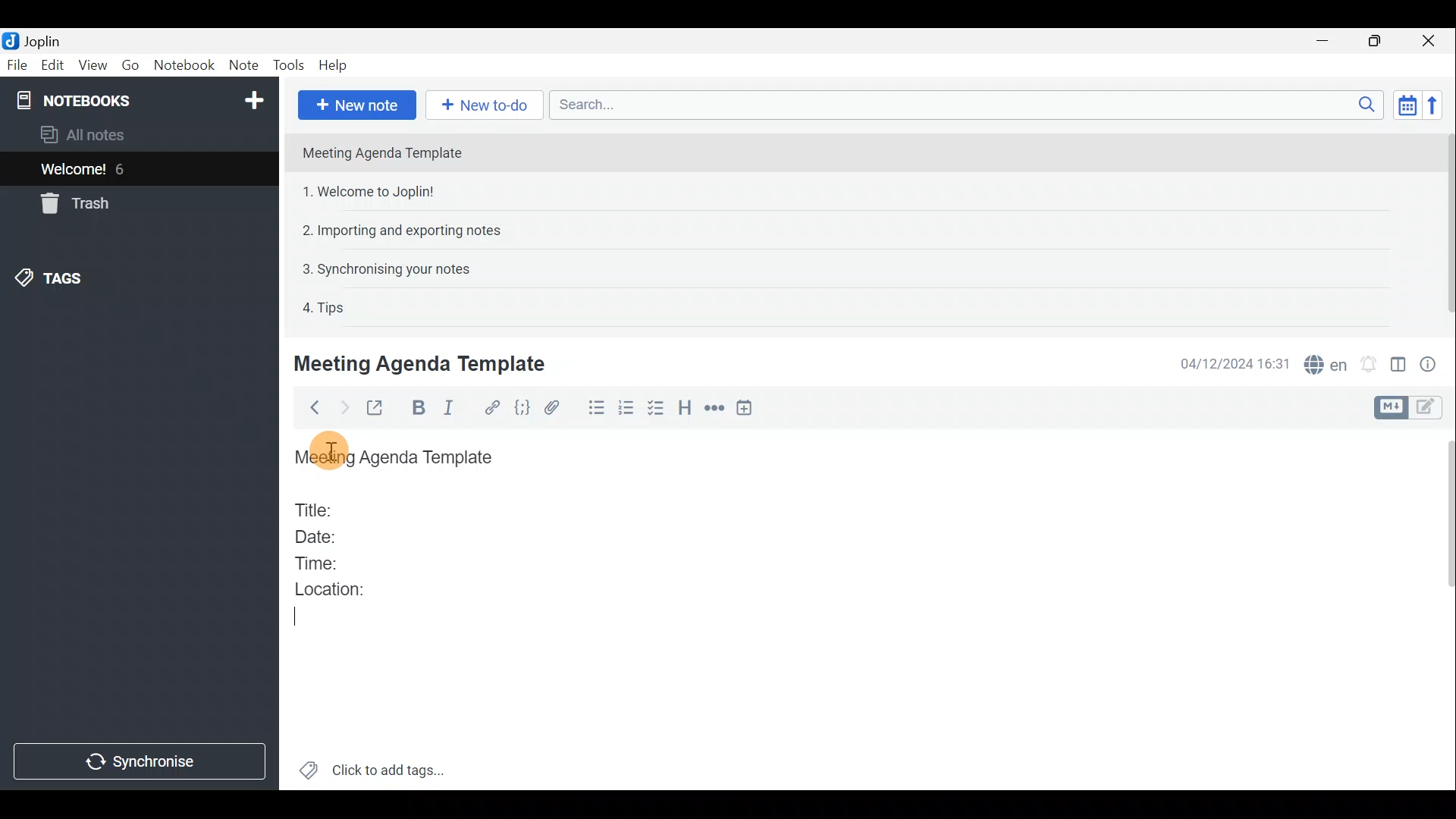  What do you see at coordinates (1327, 362) in the screenshot?
I see `Spell checker` at bounding box center [1327, 362].